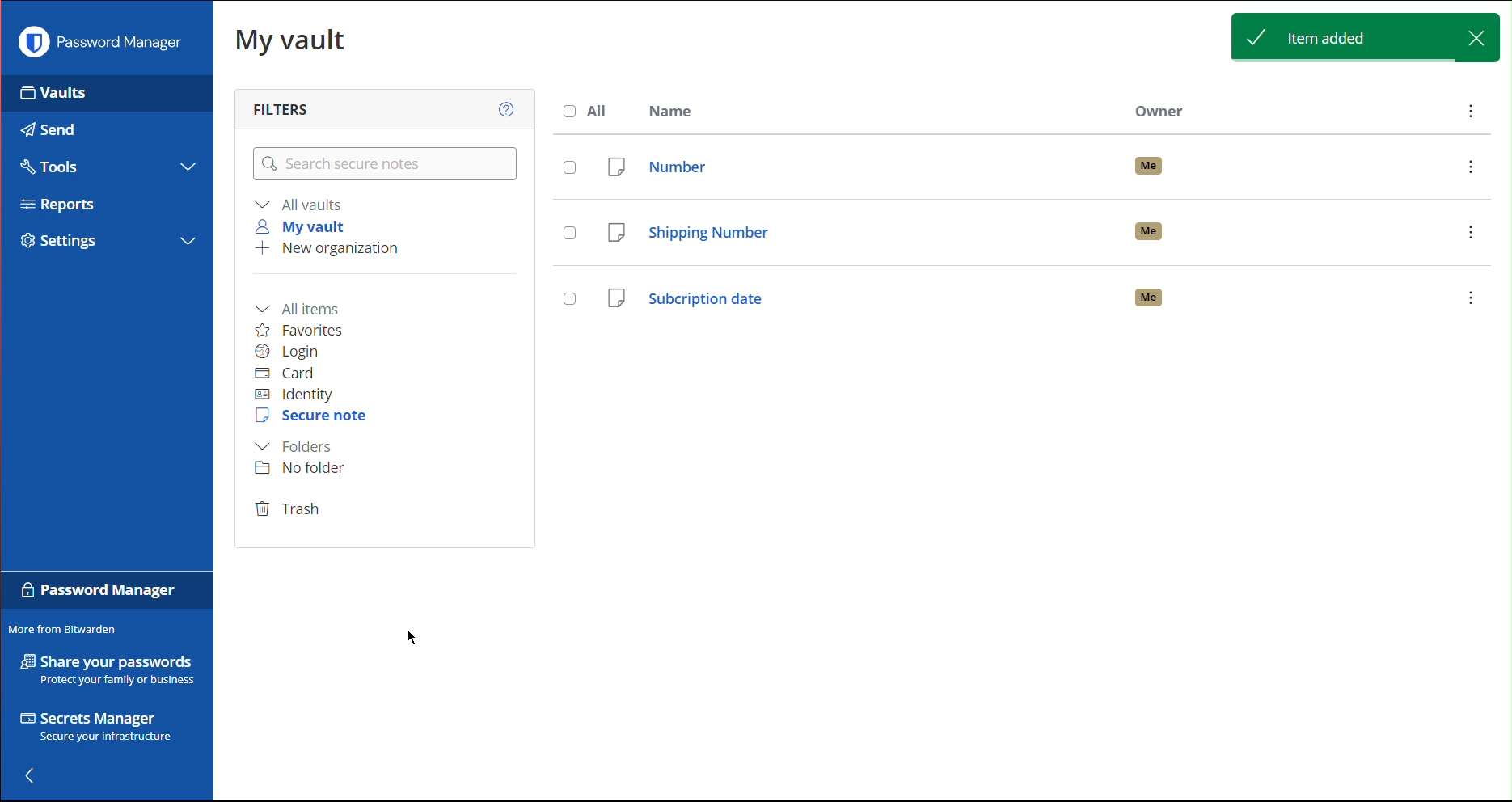  What do you see at coordinates (313, 418) in the screenshot?
I see `Secure note` at bounding box center [313, 418].